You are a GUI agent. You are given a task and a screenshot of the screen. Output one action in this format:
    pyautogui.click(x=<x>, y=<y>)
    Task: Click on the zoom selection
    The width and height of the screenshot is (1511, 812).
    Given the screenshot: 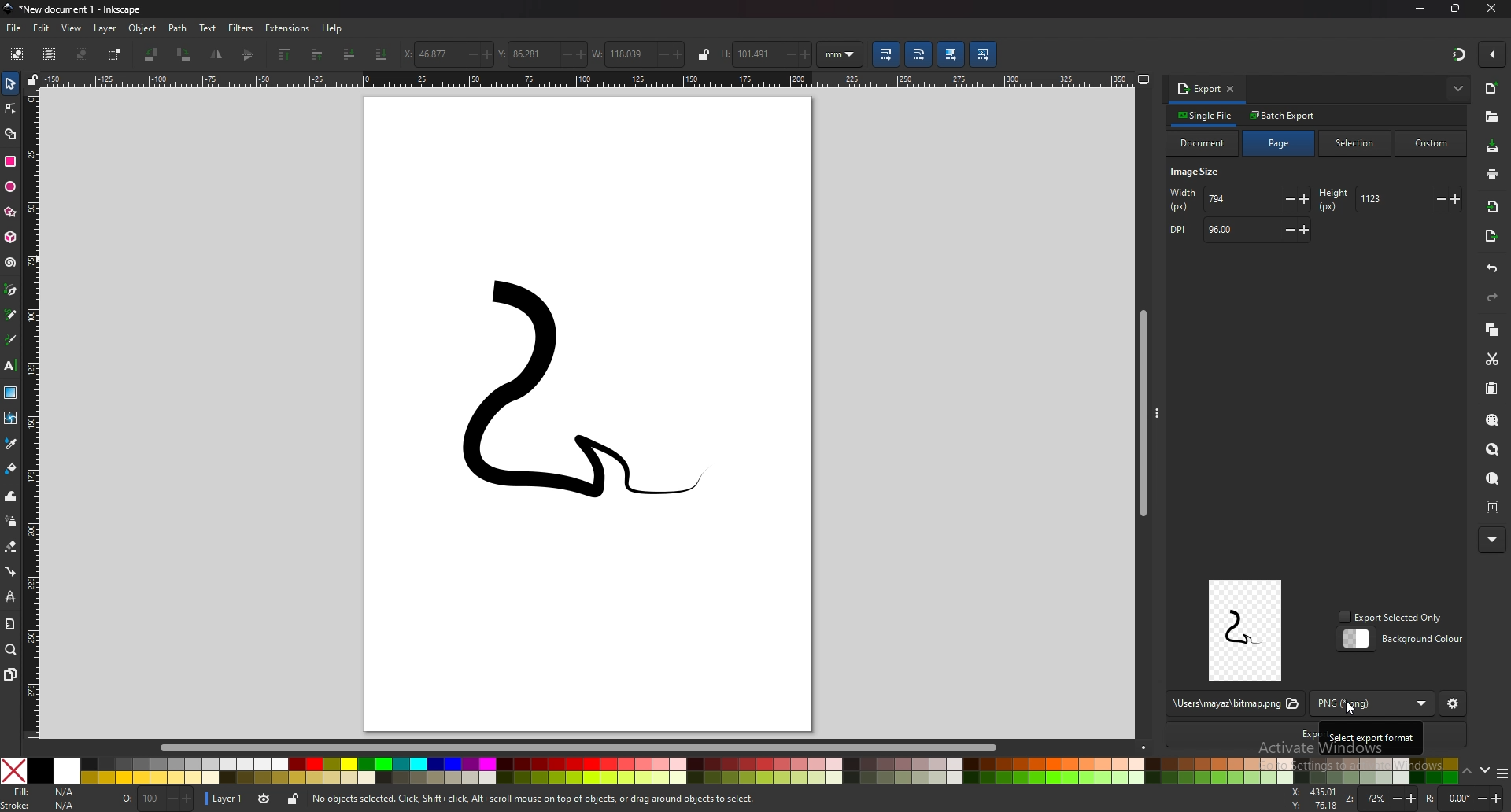 What is the action you would take?
    pyautogui.click(x=1493, y=419)
    